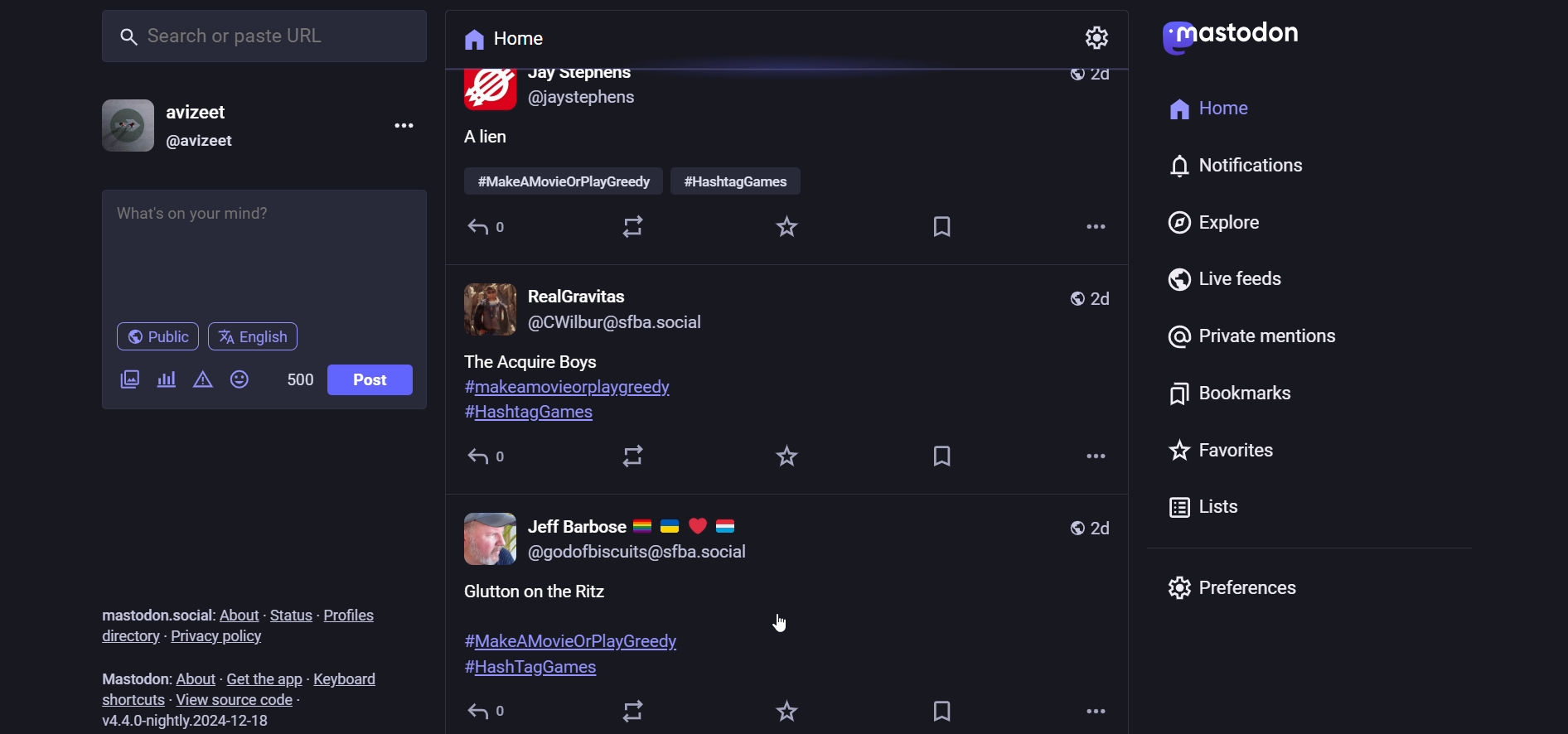 Image resolution: width=1568 pixels, height=734 pixels. Describe the element at coordinates (378, 382) in the screenshot. I see `post` at that location.